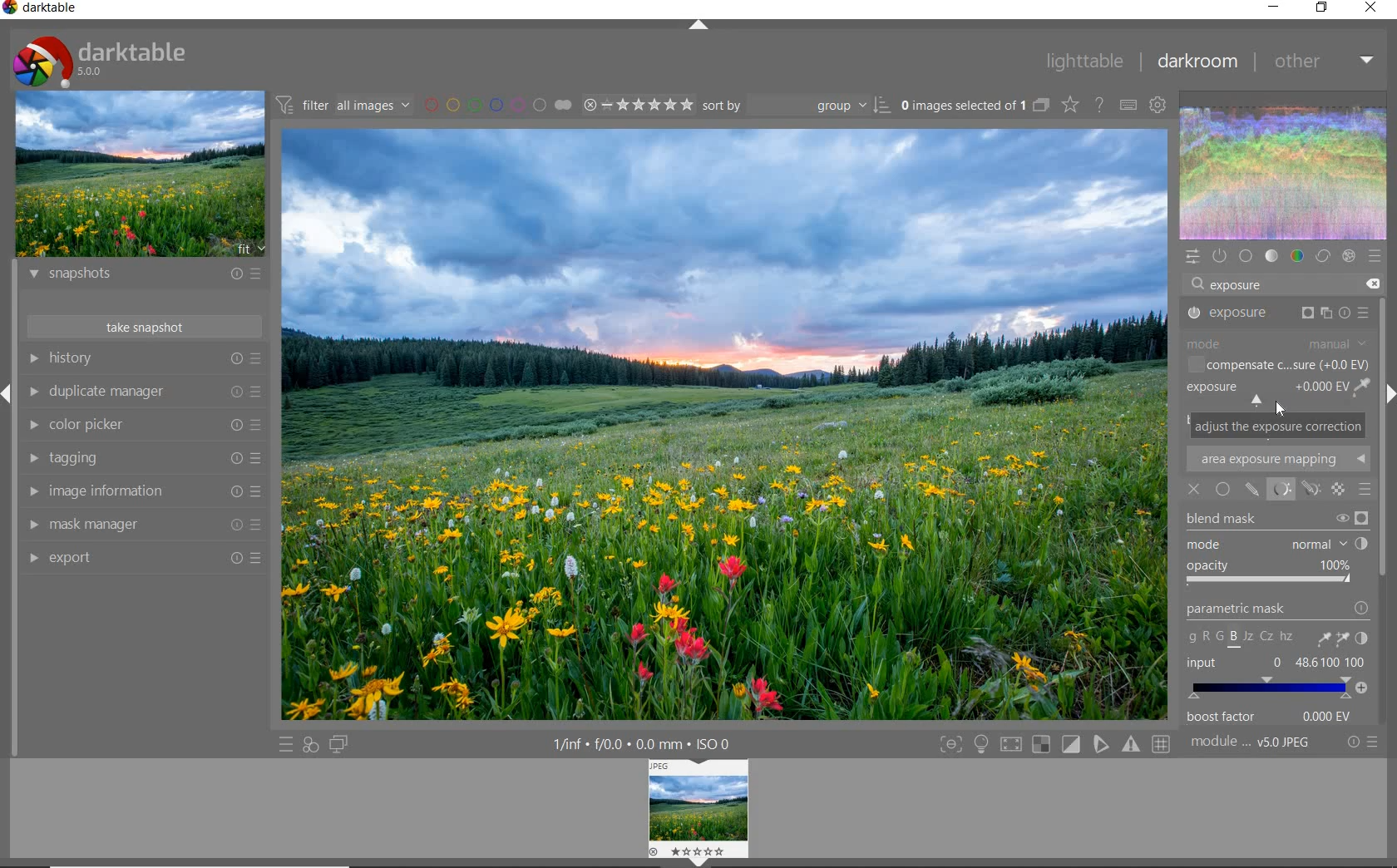  I want to click on snapshots, so click(146, 277).